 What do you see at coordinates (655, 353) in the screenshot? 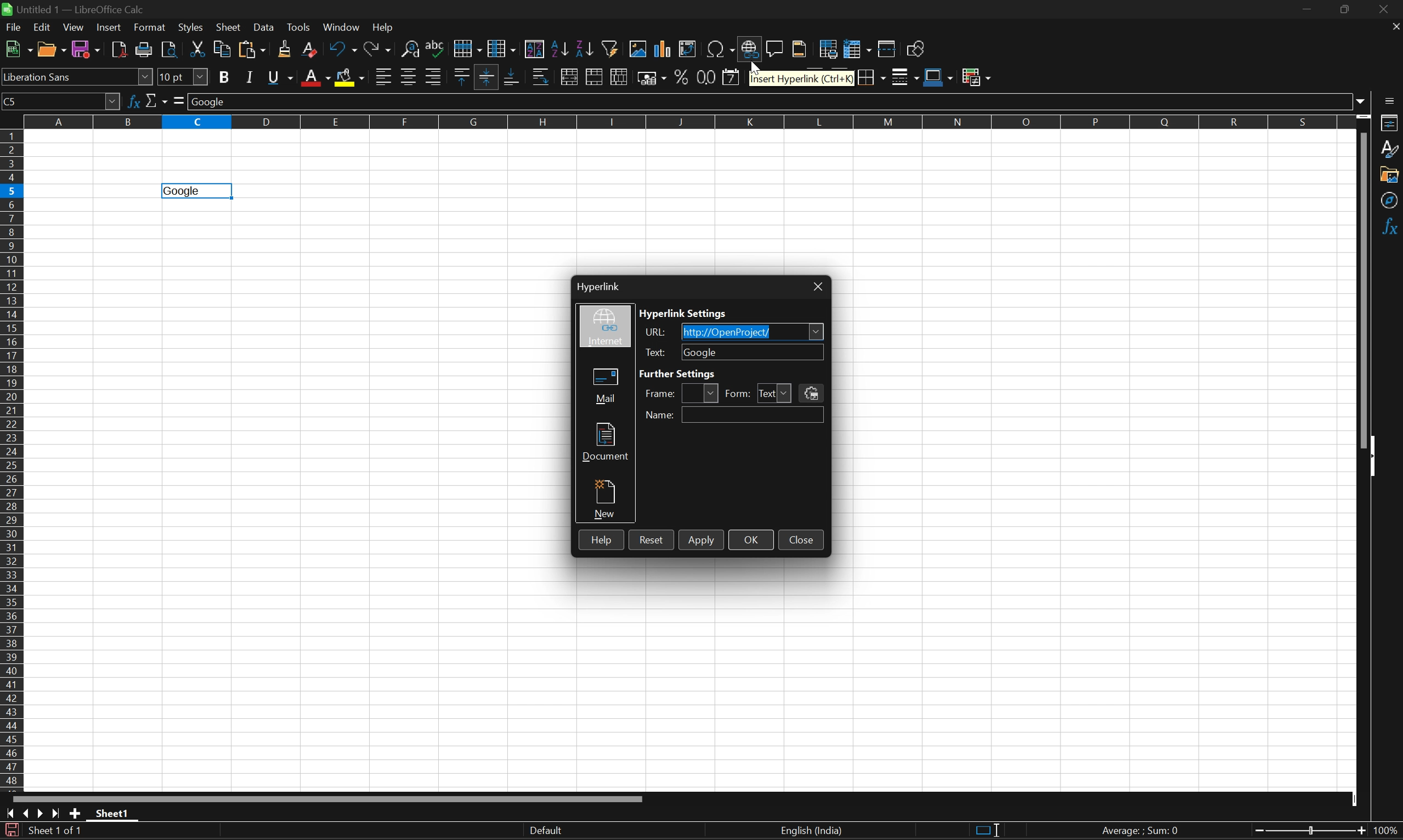
I see `Text:` at bounding box center [655, 353].